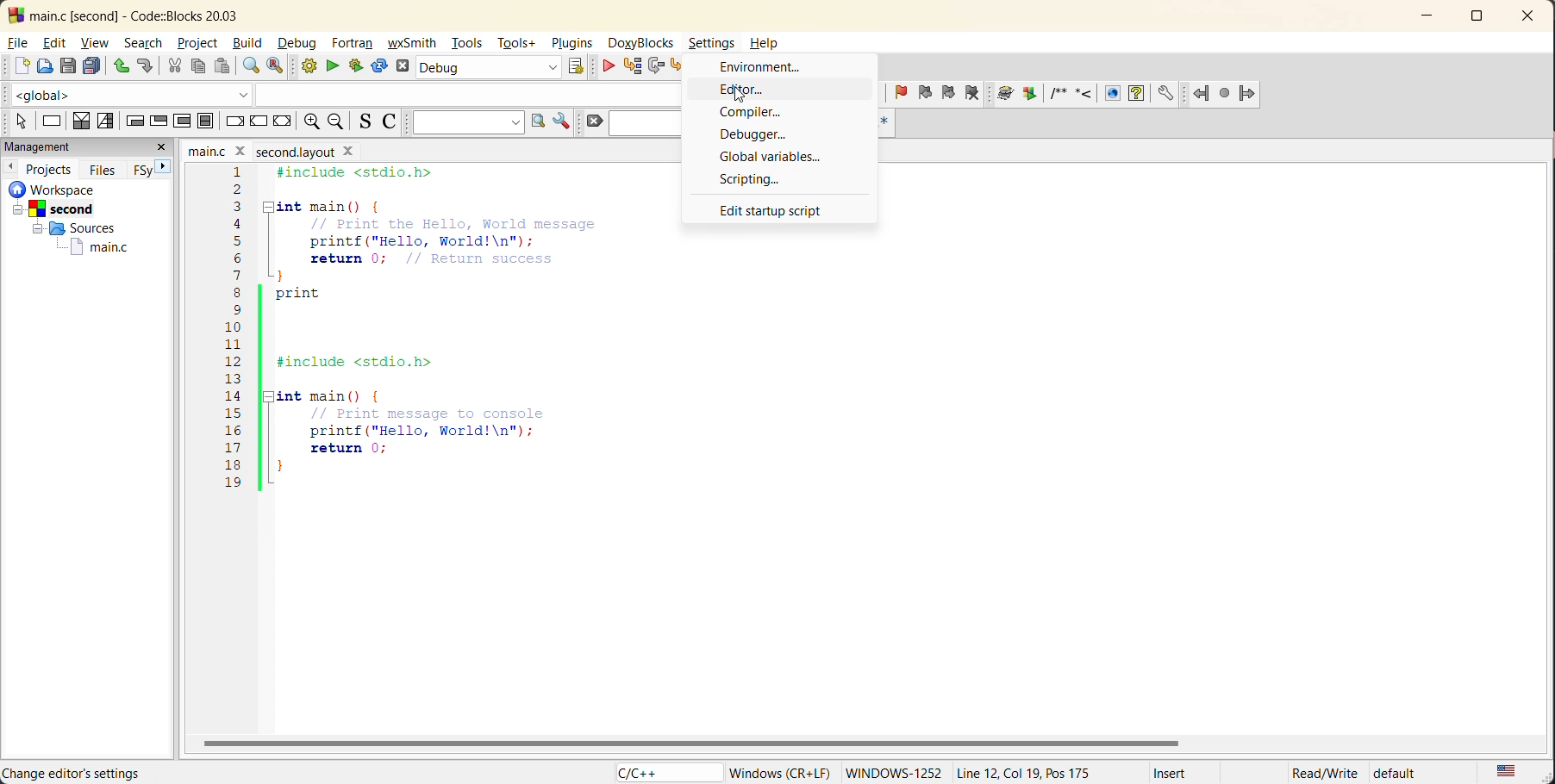 The image size is (1555, 784). I want to click on abort, so click(403, 65).